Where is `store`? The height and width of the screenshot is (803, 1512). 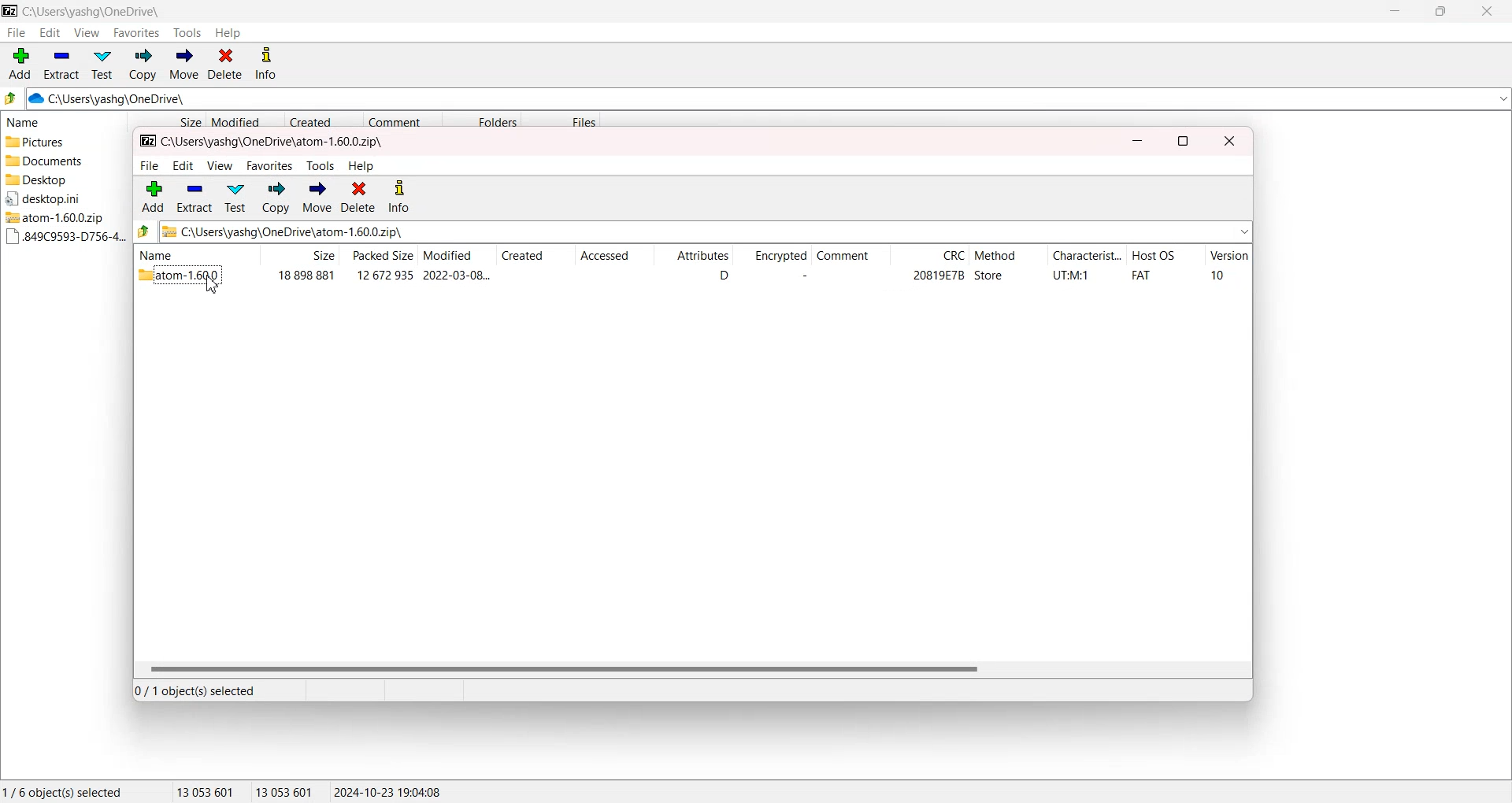 store is located at coordinates (989, 276).